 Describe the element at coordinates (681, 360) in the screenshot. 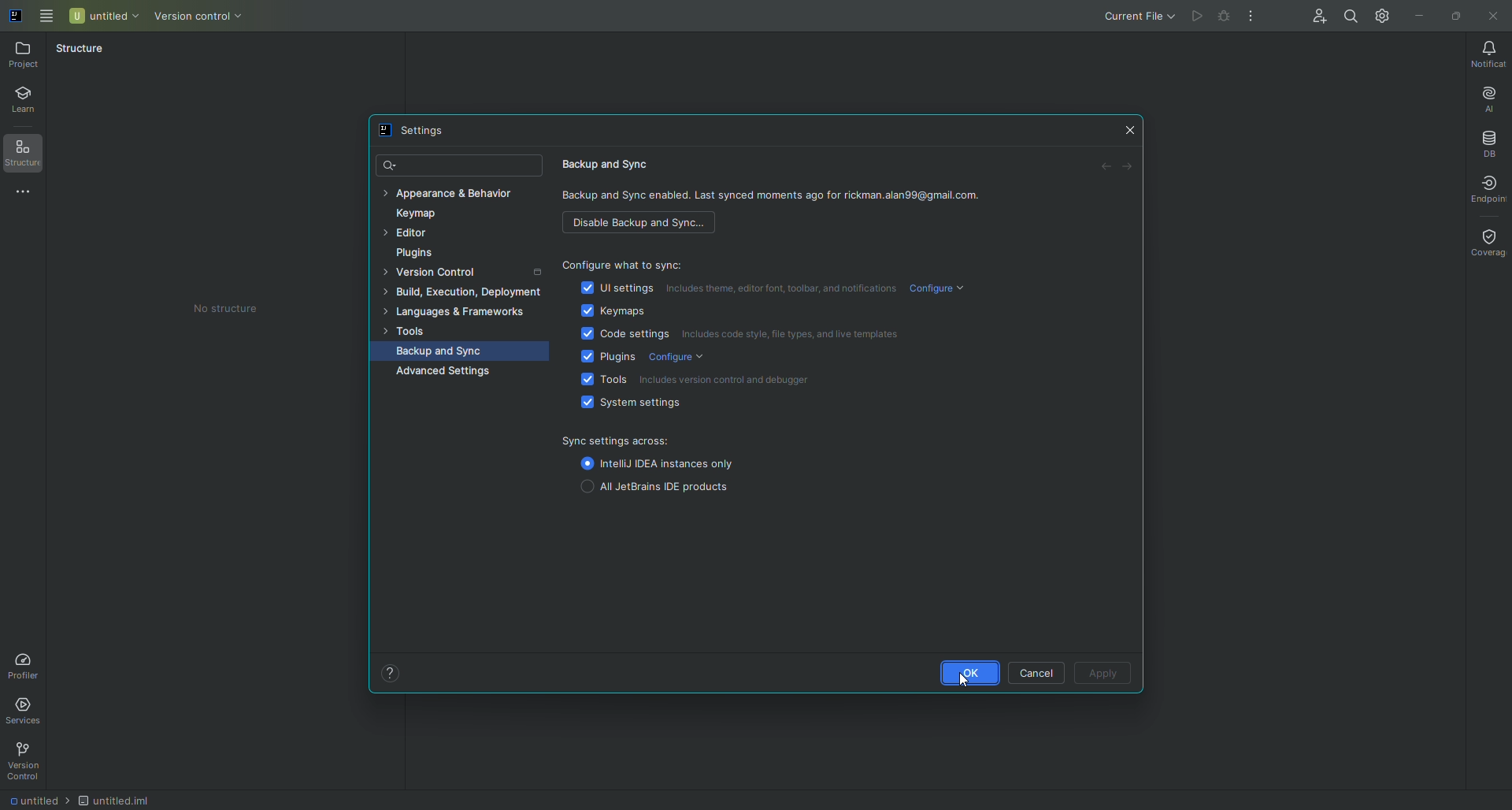

I see `Configure` at that location.